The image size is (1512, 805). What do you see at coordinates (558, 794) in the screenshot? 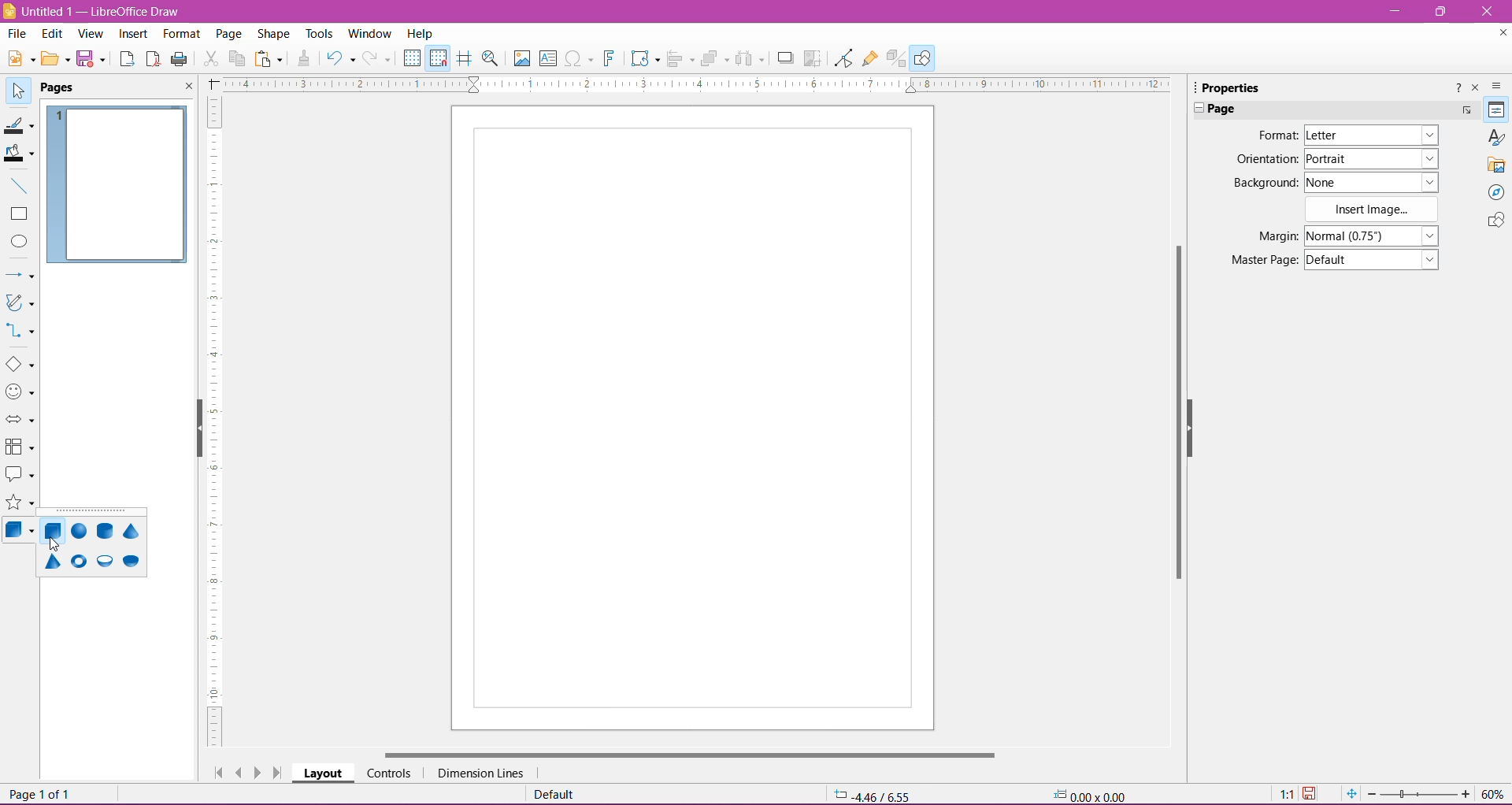
I see `Default` at bounding box center [558, 794].